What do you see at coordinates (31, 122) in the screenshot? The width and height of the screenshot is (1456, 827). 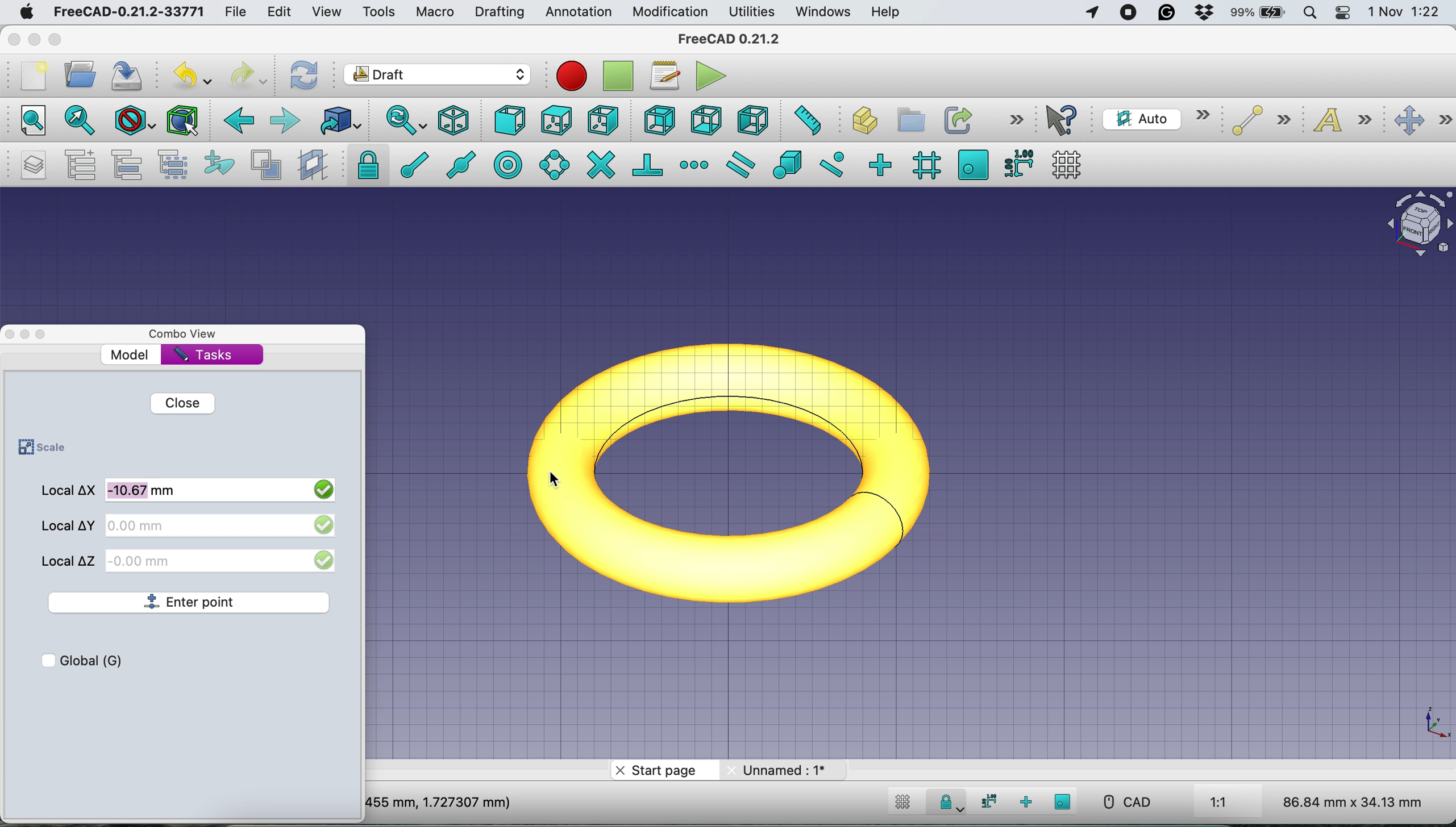 I see `fit all` at bounding box center [31, 122].